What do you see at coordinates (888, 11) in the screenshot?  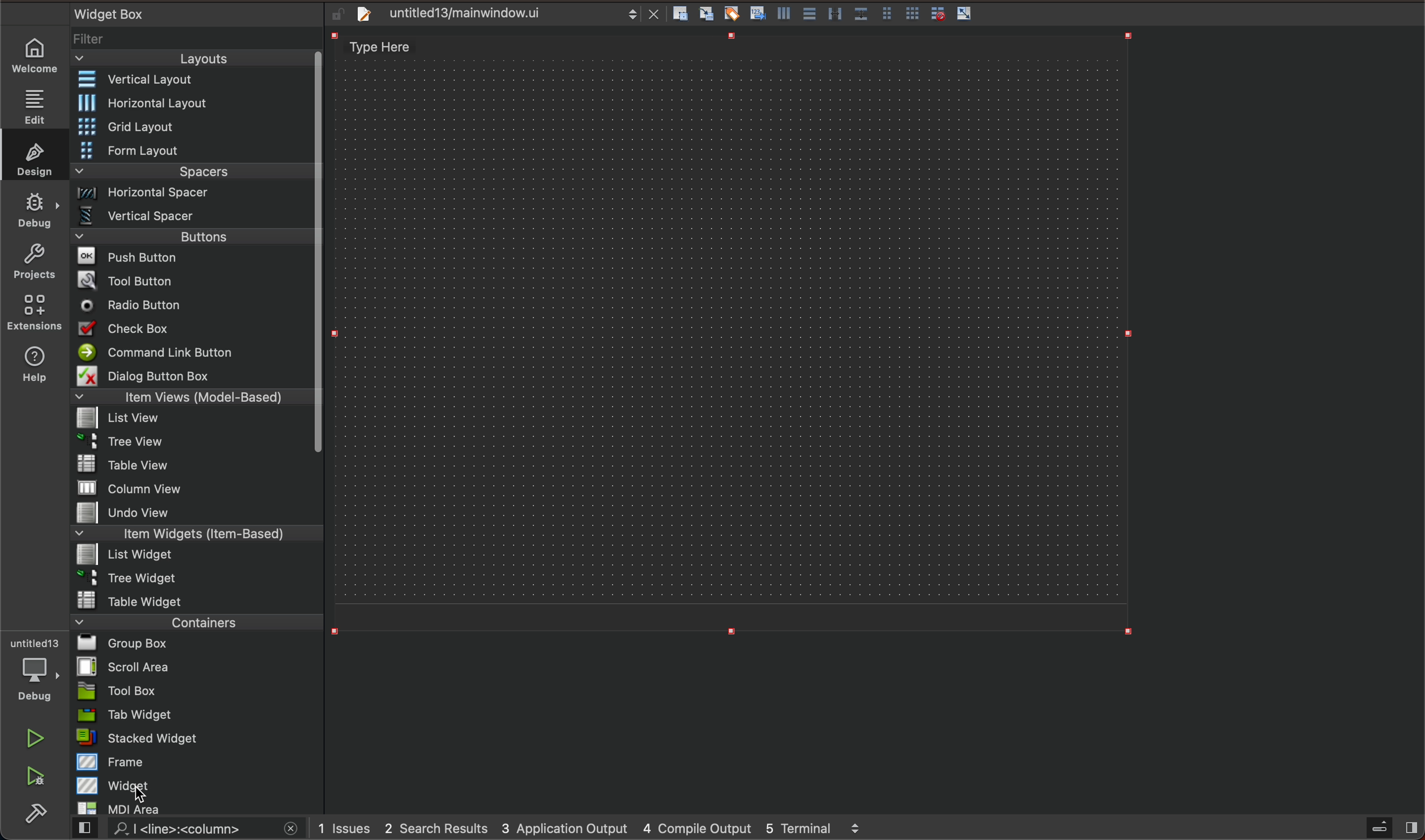 I see `form layout` at bounding box center [888, 11].